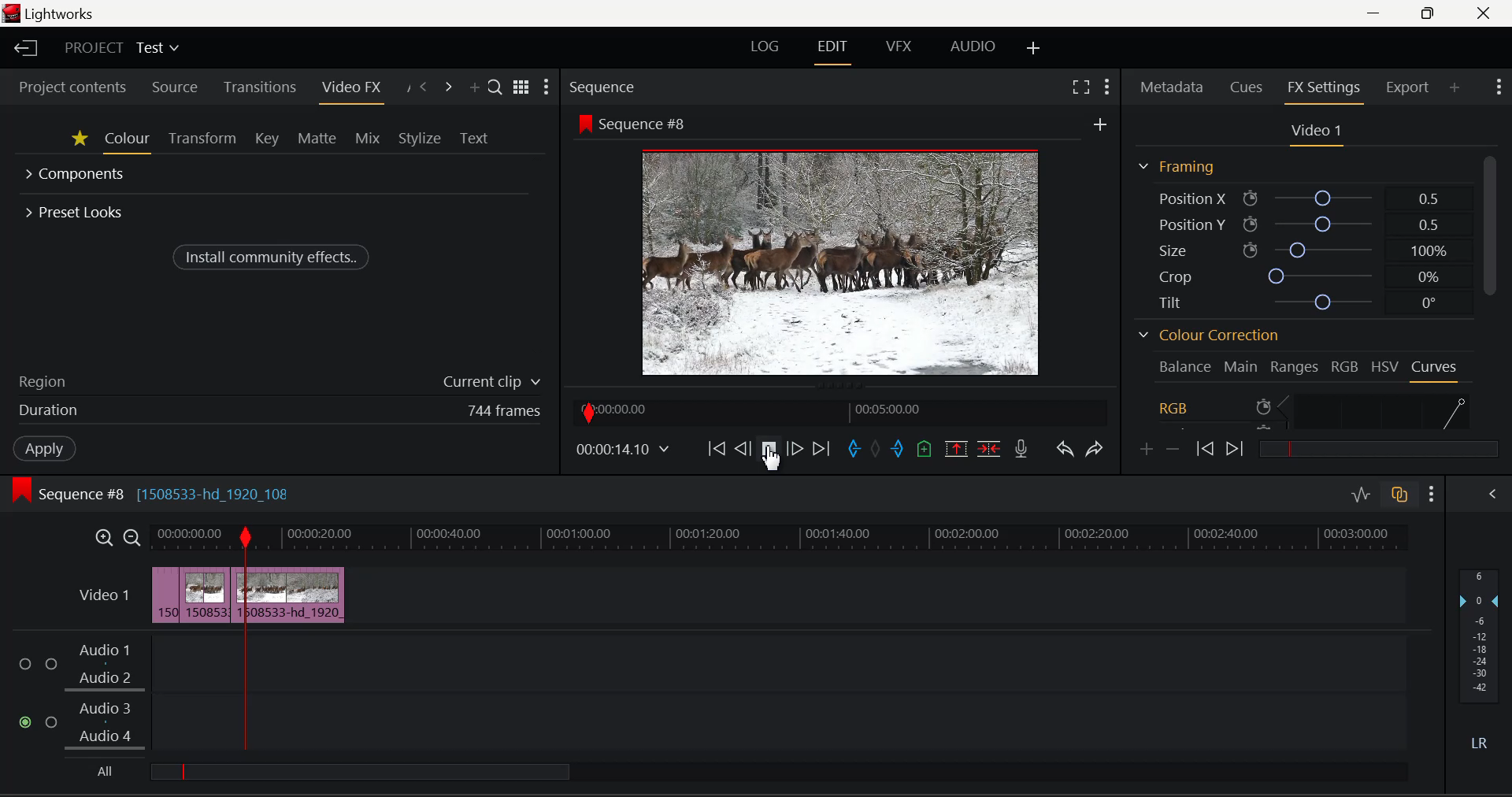 This screenshot has height=797, width=1512. Describe the element at coordinates (1407, 85) in the screenshot. I see `Export` at that location.